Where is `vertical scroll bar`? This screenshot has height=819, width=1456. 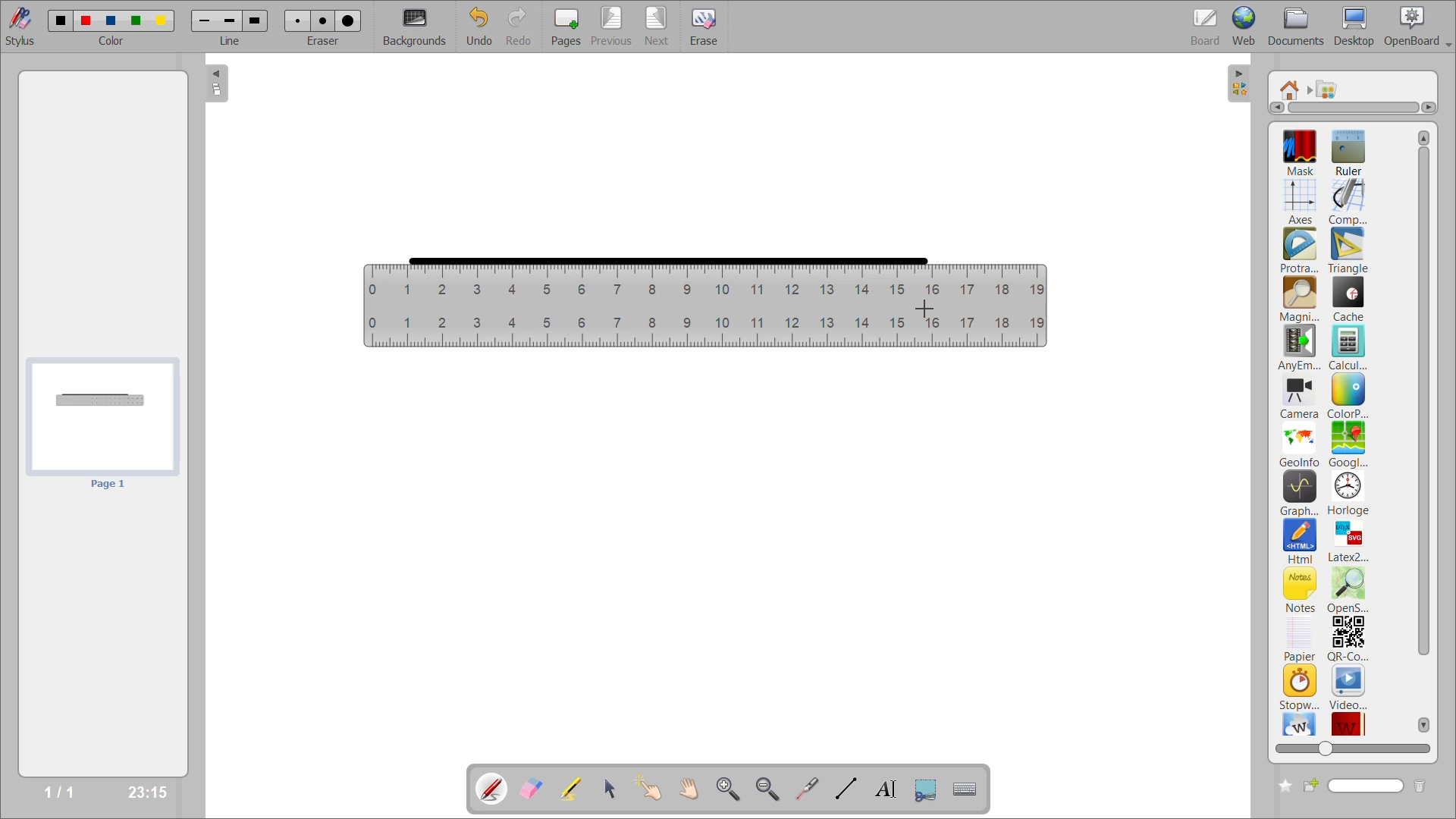
vertical scroll bar is located at coordinates (1426, 431).